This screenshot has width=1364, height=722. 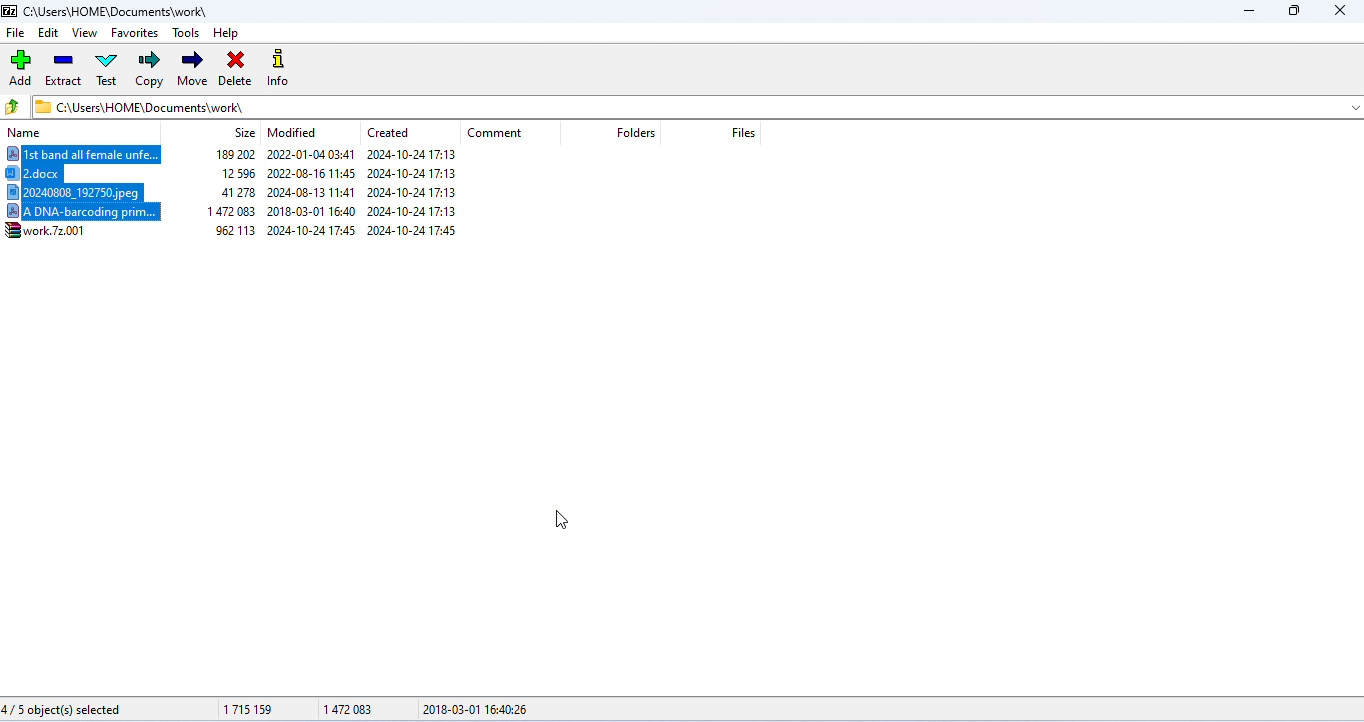 I want to click on delete, so click(x=234, y=70).